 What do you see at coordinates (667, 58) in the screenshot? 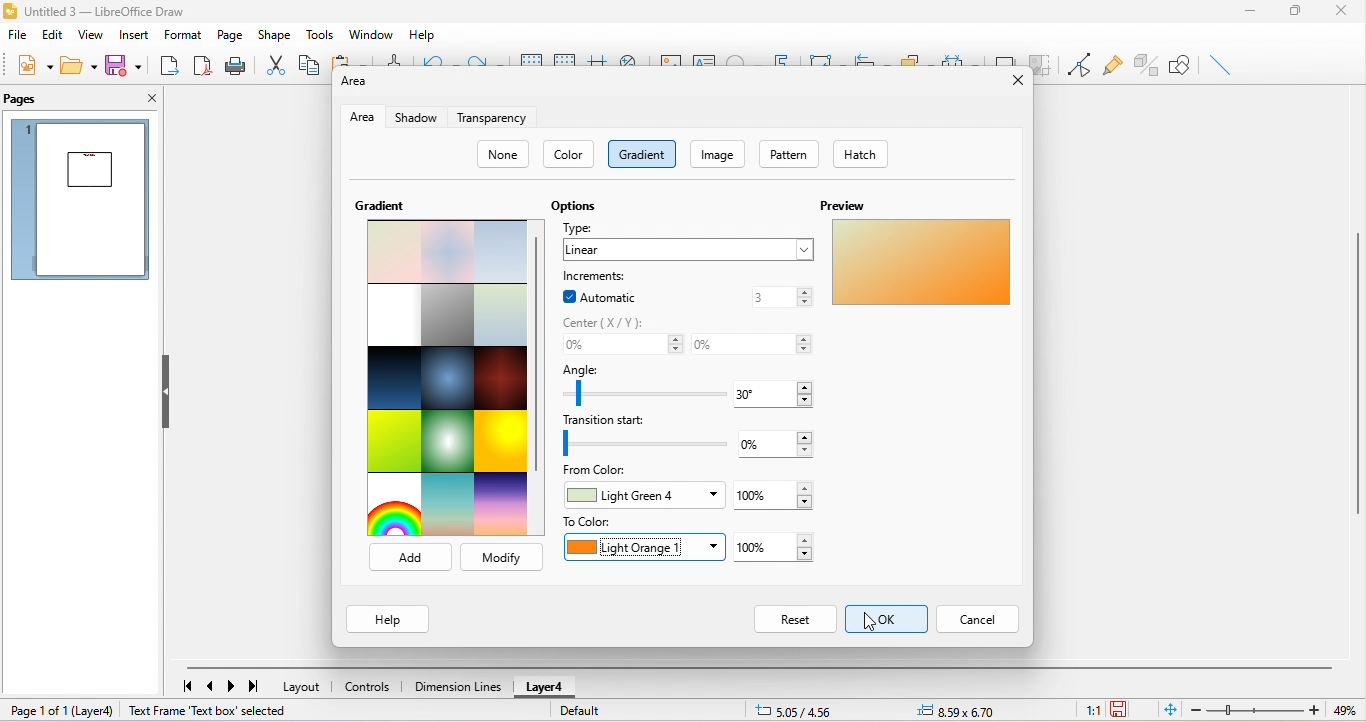
I see `image` at bounding box center [667, 58].